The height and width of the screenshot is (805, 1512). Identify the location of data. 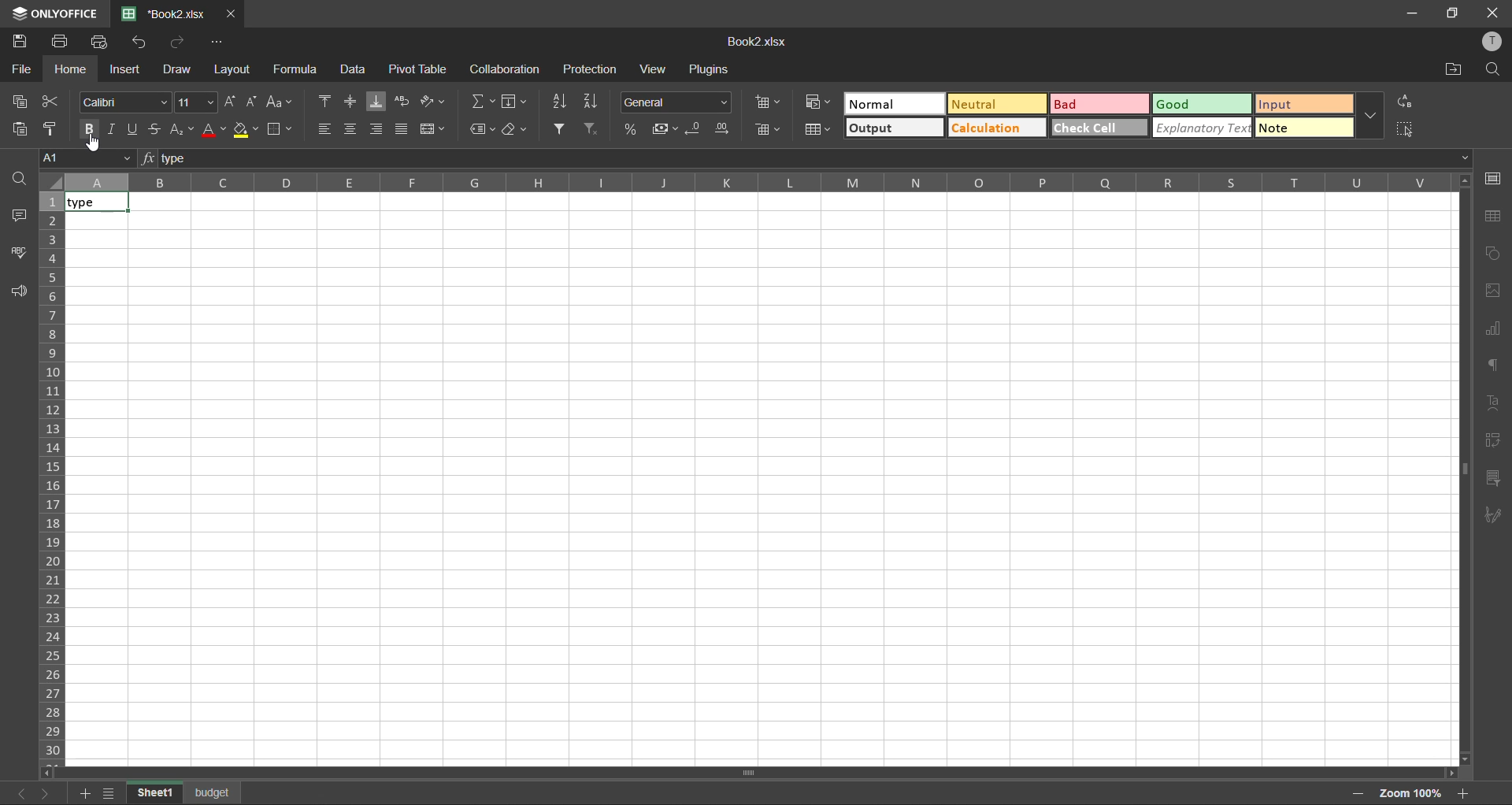
(358, 71).